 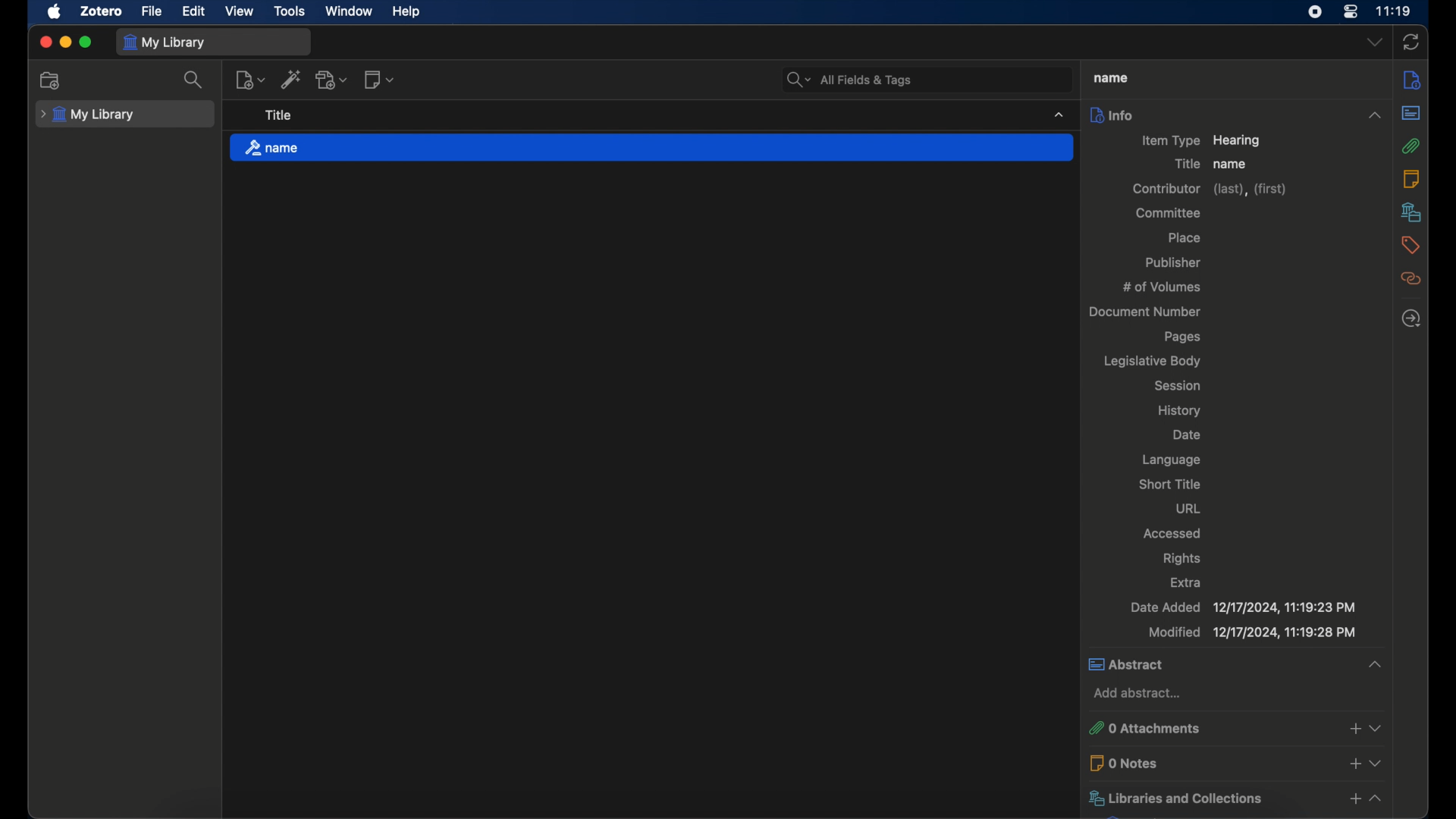 I want to click on window, so click(x=350, y=11).